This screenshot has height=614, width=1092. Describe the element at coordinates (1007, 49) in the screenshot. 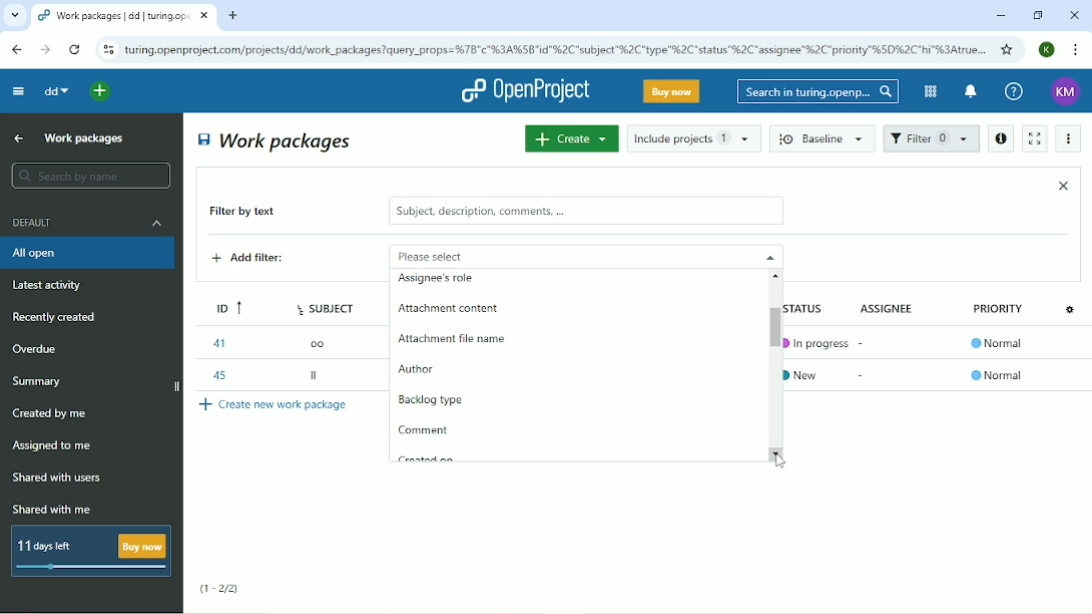

I see `Bookmark this tab` at that location.